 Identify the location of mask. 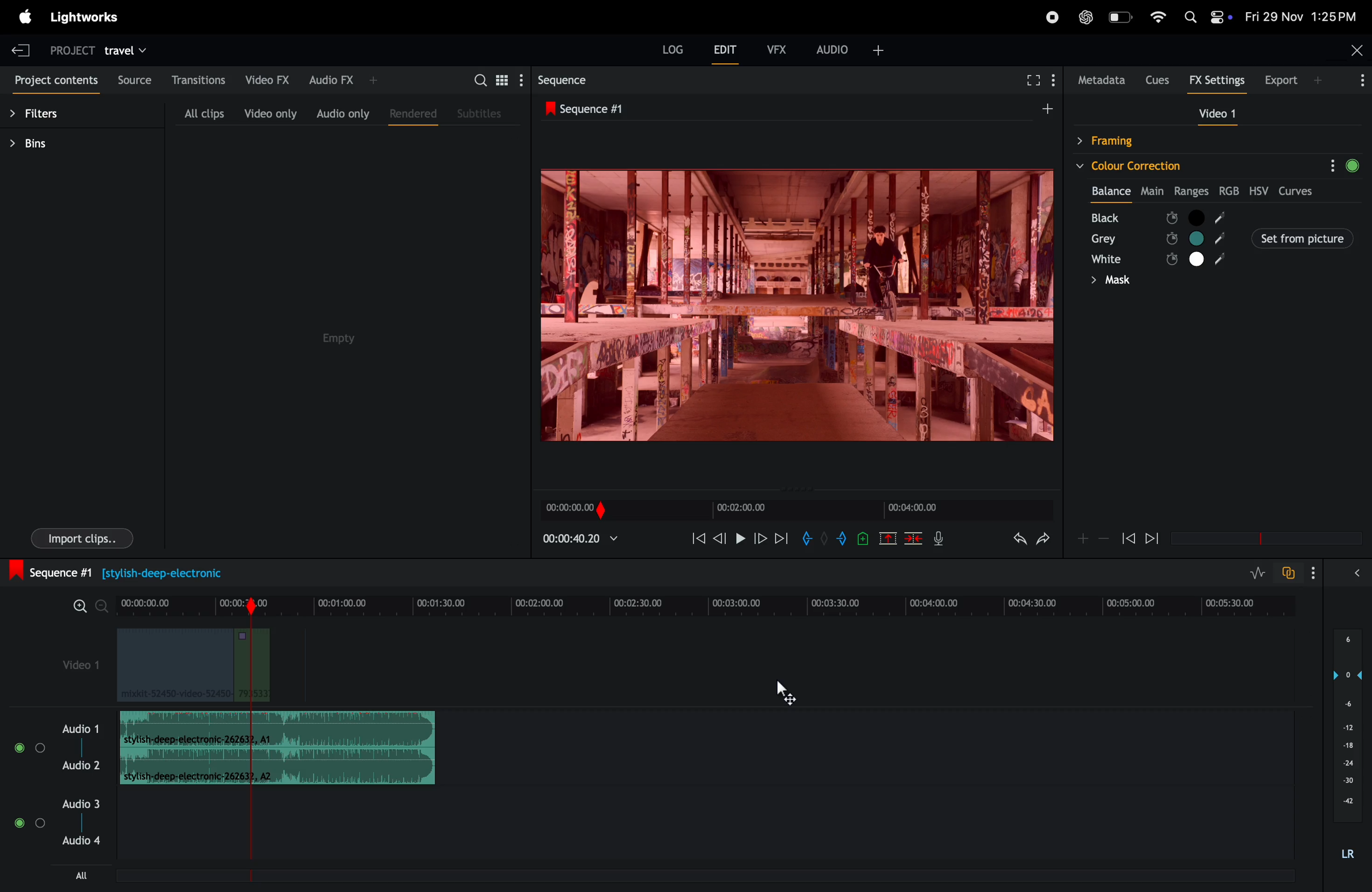
(1111, 281).